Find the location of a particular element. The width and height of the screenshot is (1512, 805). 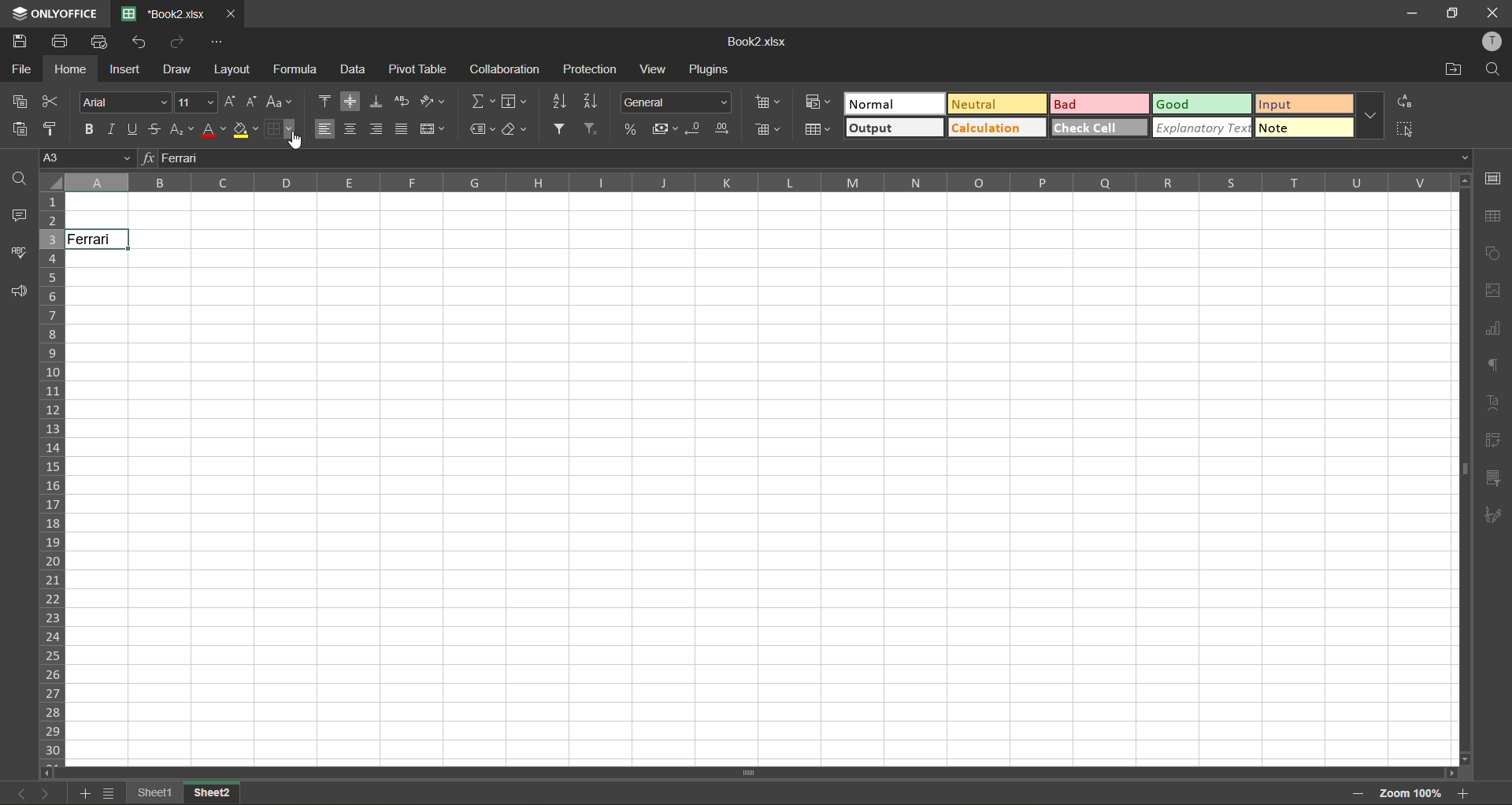

quick print is located at coordinates (101, 42).